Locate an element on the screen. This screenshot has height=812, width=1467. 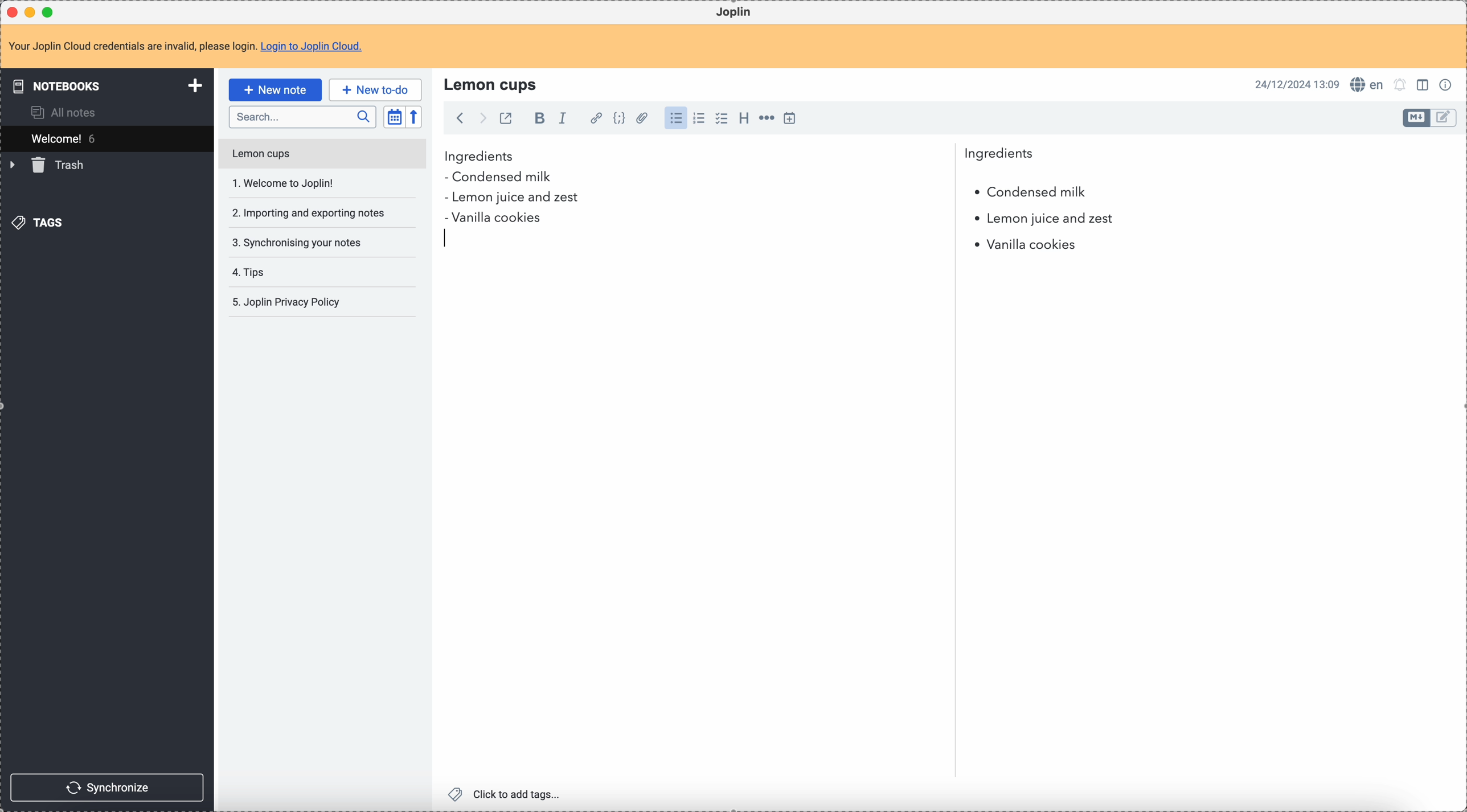
synchronising your notes is located at coordinates (296, 241).